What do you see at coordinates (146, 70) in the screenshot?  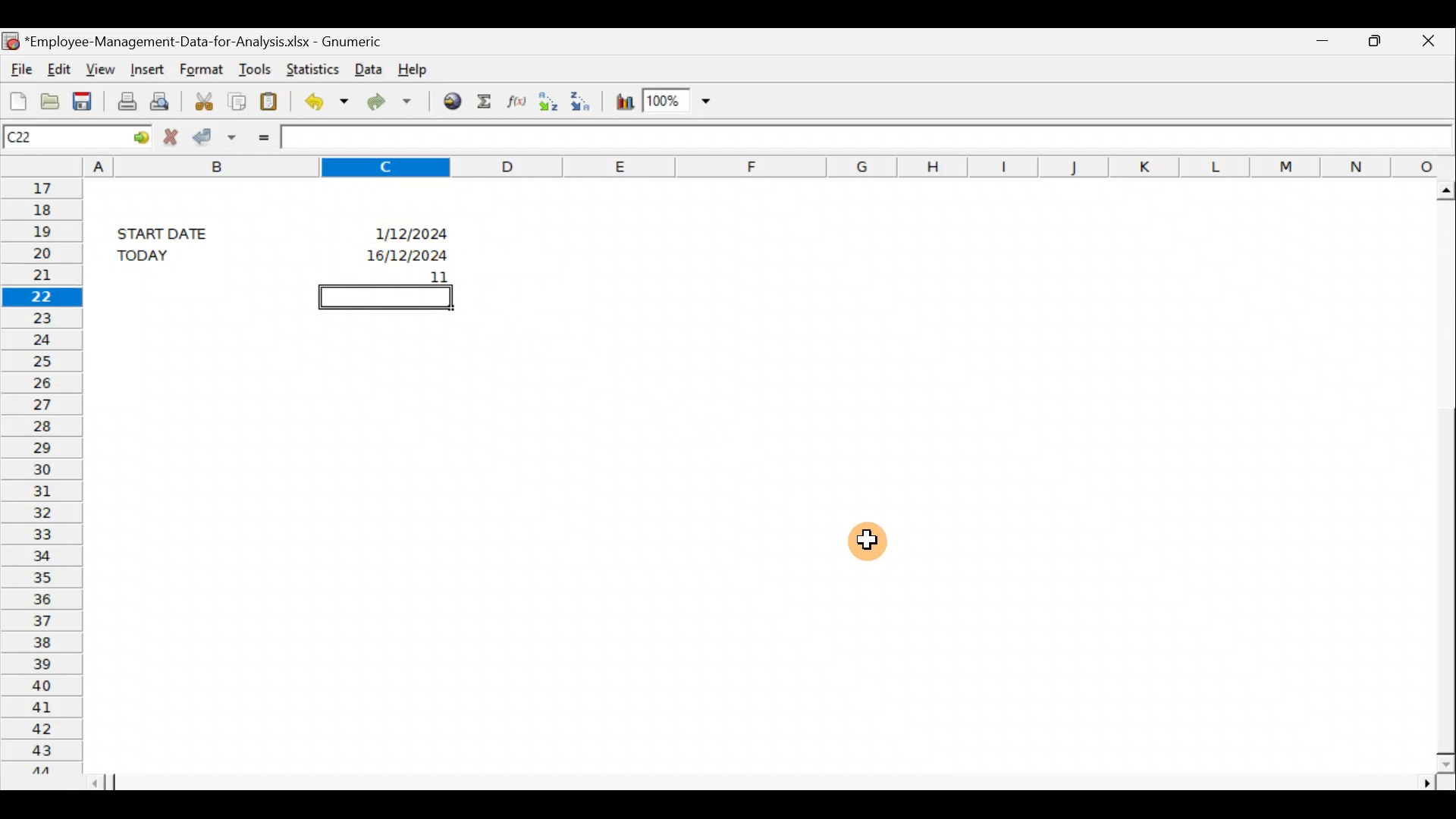 I see `Insert` at bounding box center [146, 70].